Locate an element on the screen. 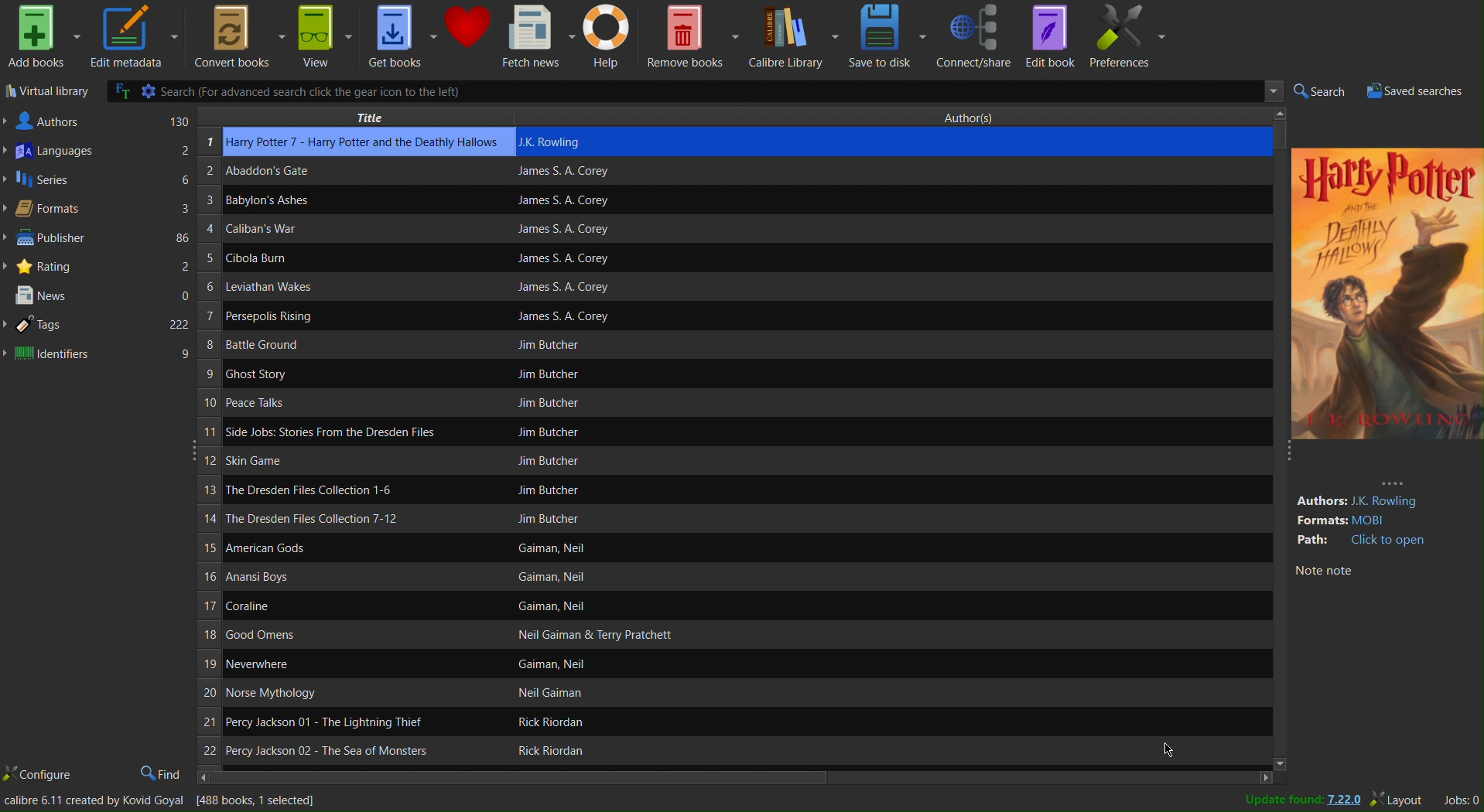 This screenshot has height=812, width=1484. Series is located at coordinates (99, 181).